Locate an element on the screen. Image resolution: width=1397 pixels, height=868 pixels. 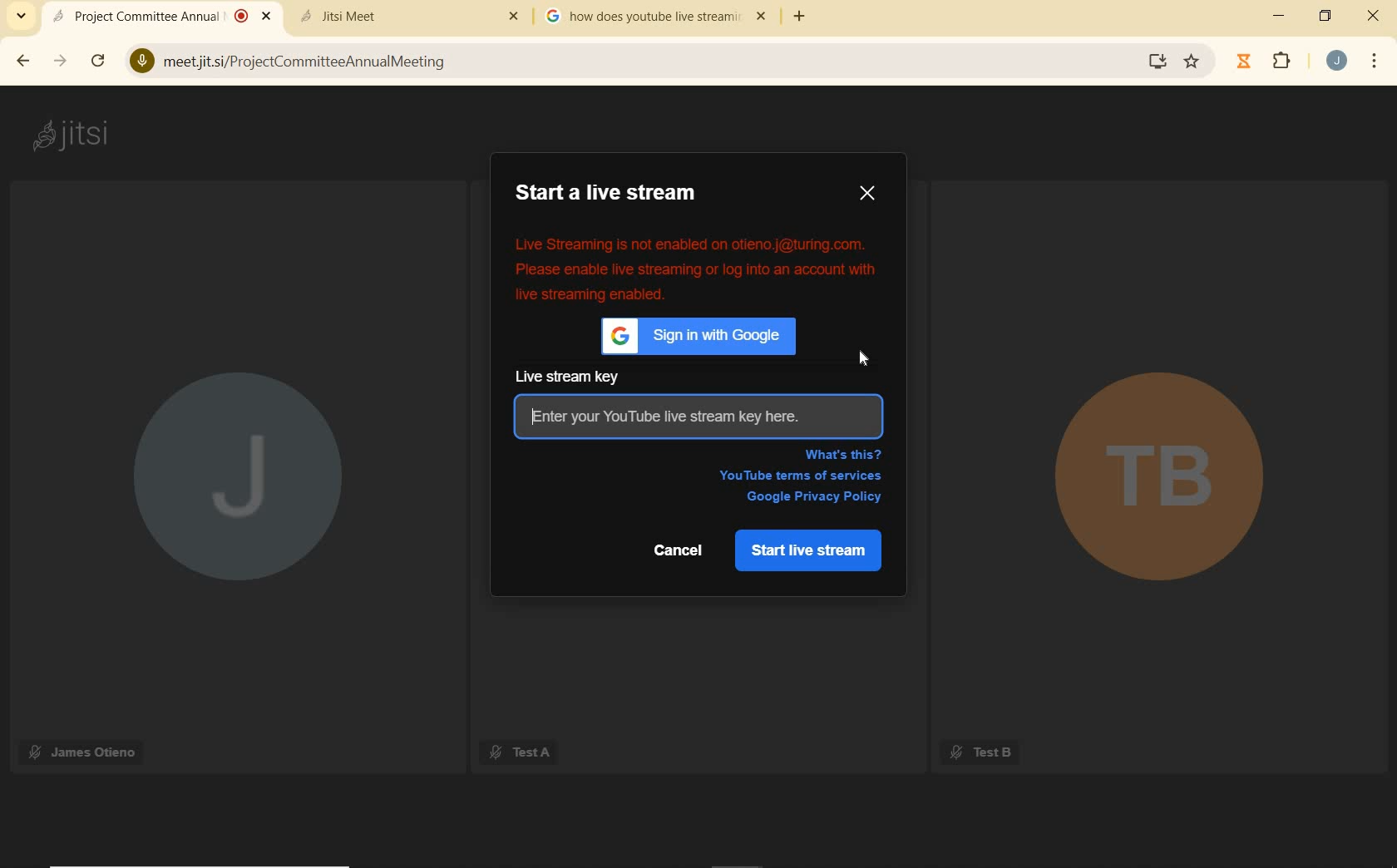
live stream key is located at coordinates (573, 377).